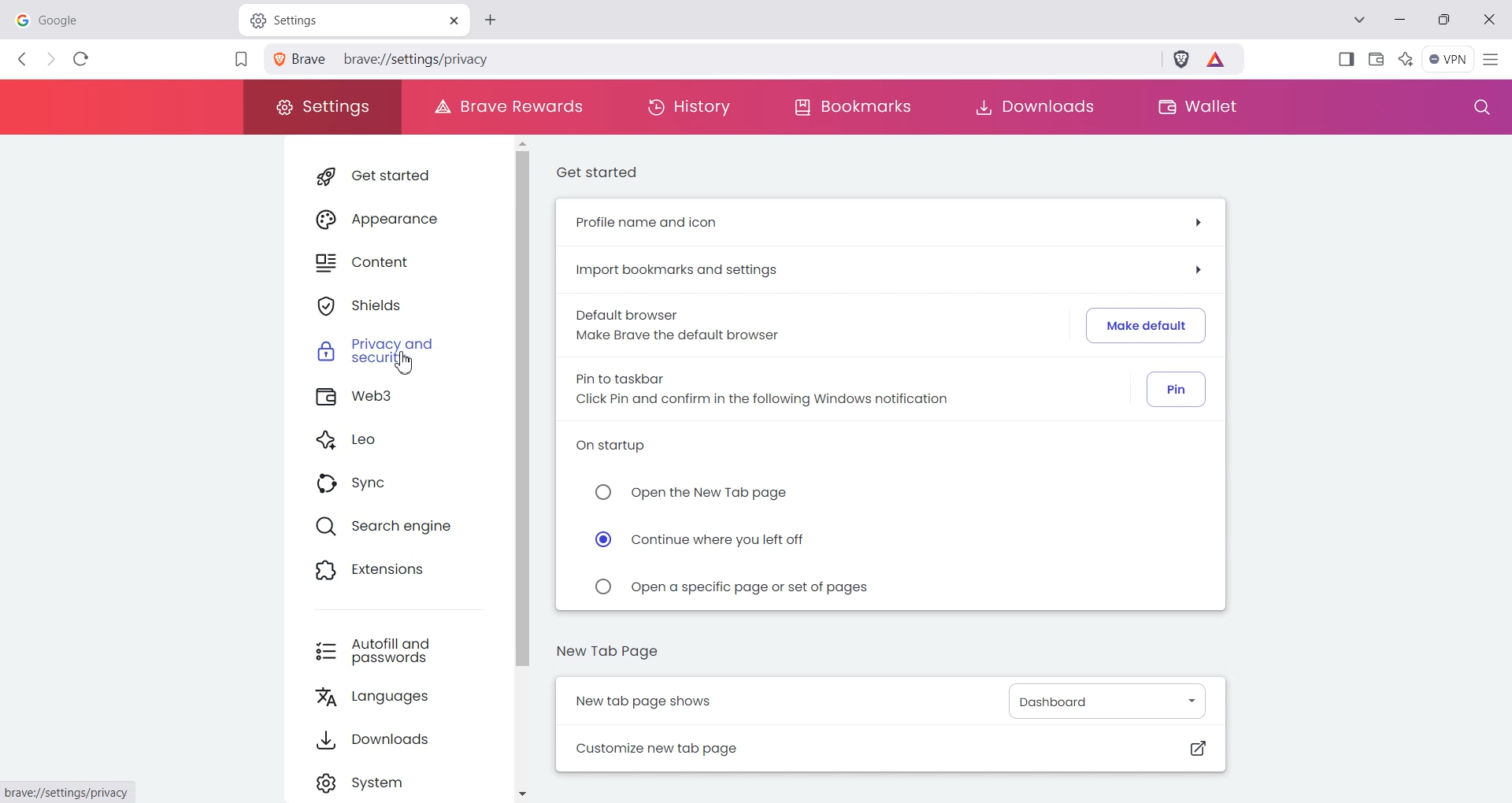  Describe the element at coordinates (390, 354) in the screenshot. I see `Privacy and security` at that location.